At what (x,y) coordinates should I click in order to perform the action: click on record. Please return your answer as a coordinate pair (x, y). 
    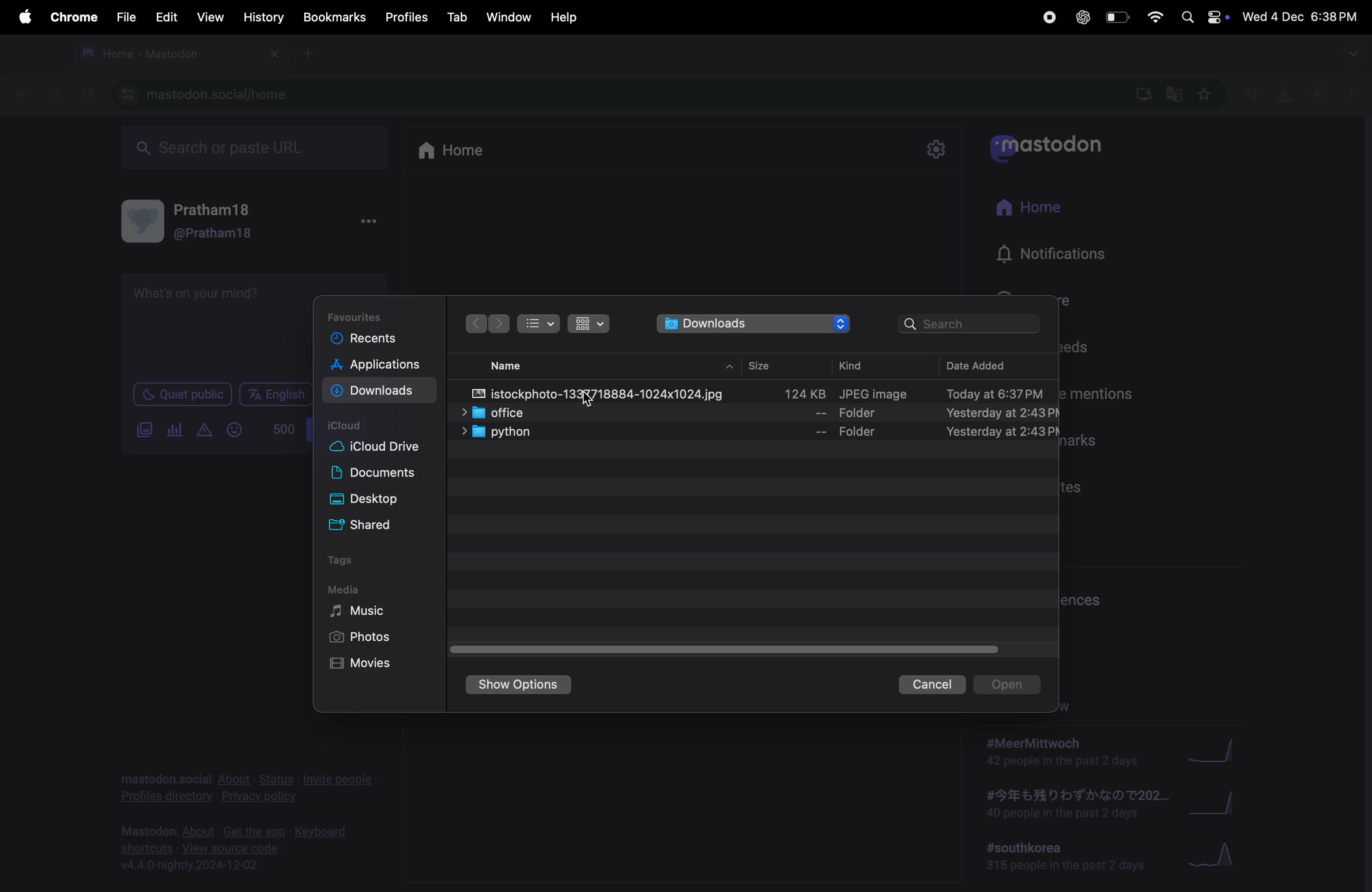
    Looking at the image, I should click on (1048, 17).